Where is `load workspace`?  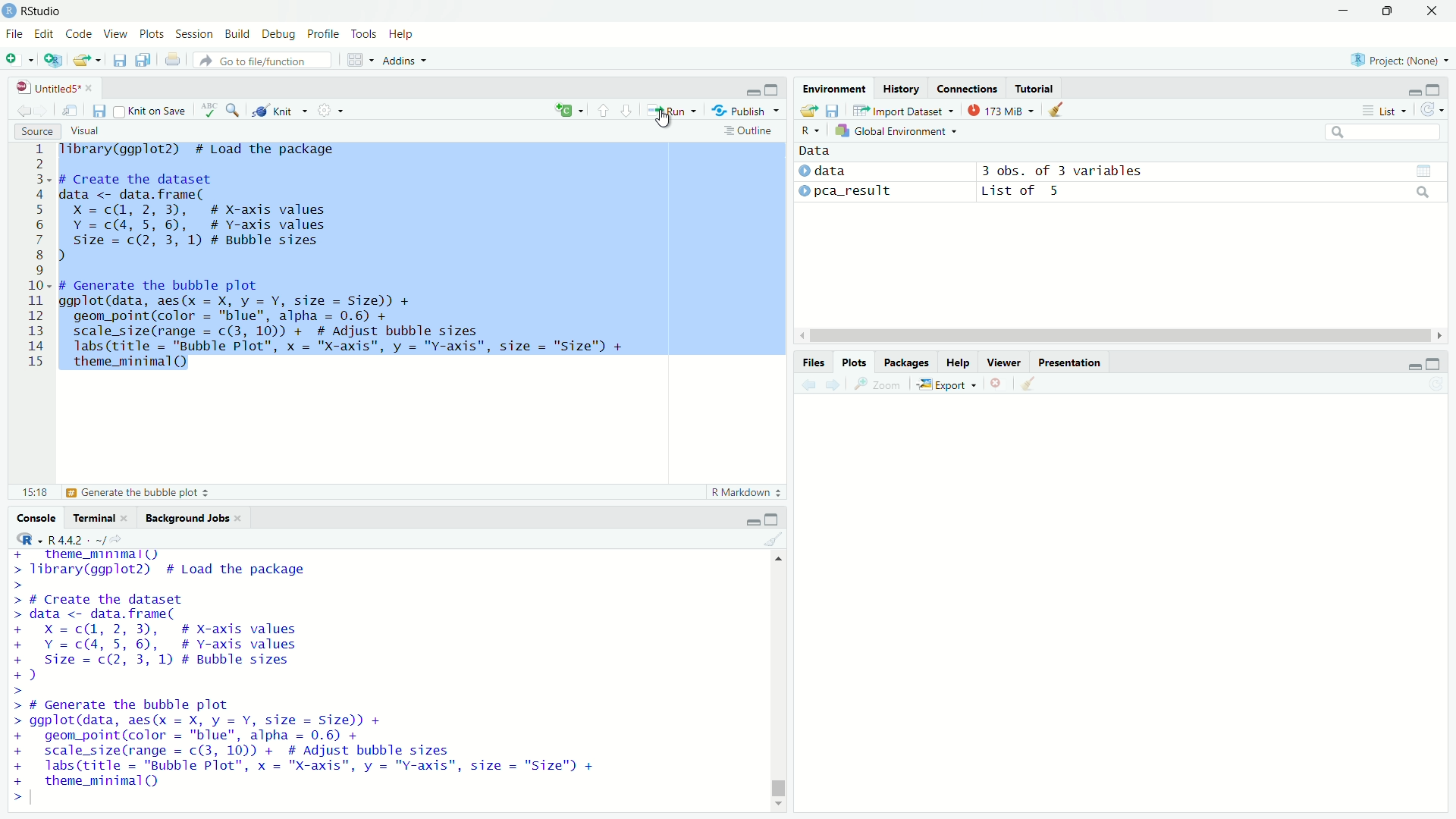
load workspace is located at coordinates (808, 111).